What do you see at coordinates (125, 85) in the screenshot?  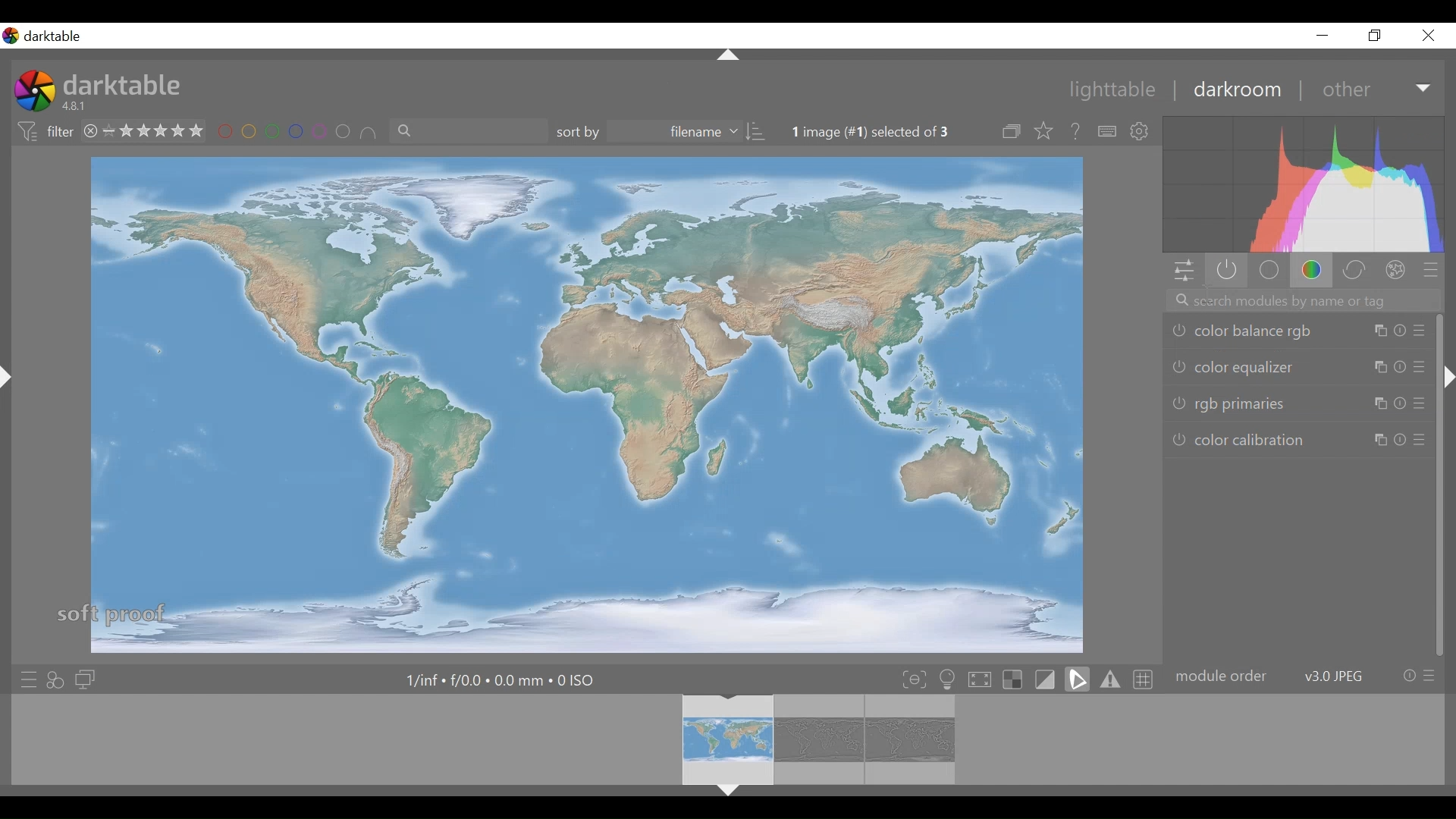 I see `darktable` at bounding box center [125, 85].